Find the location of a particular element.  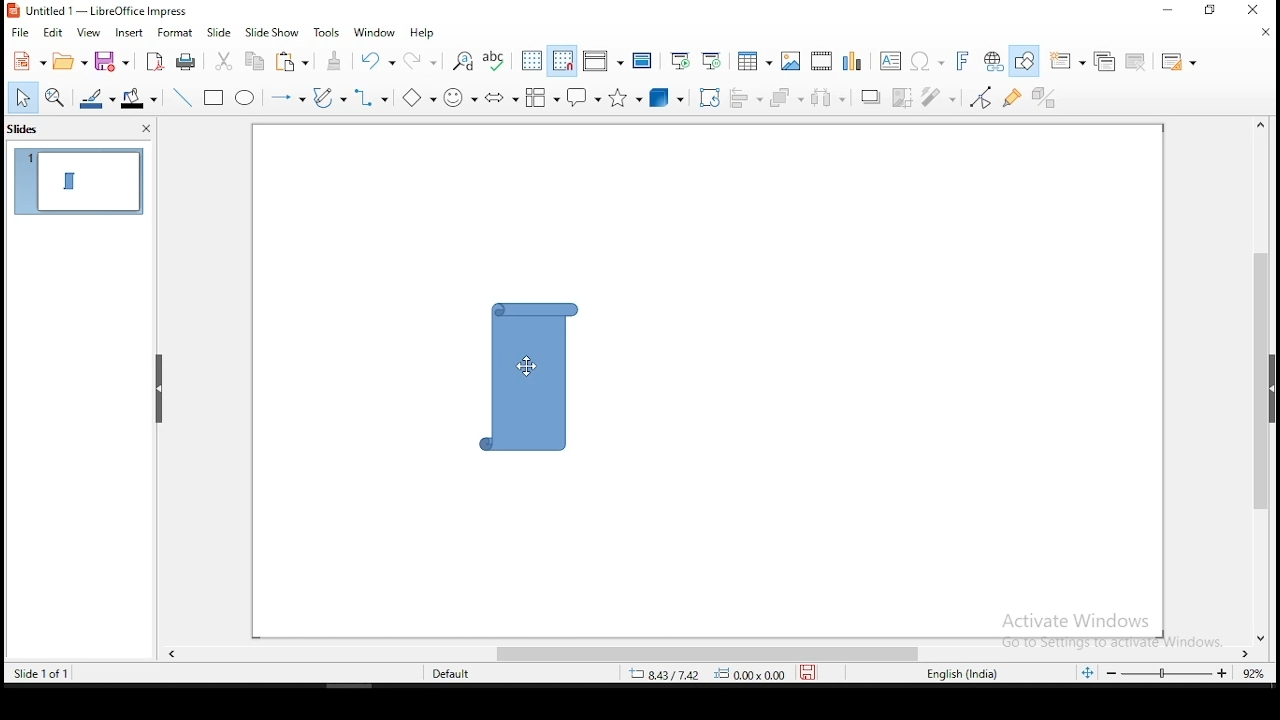

duplicate slide is located at coordinates (1106, 59).